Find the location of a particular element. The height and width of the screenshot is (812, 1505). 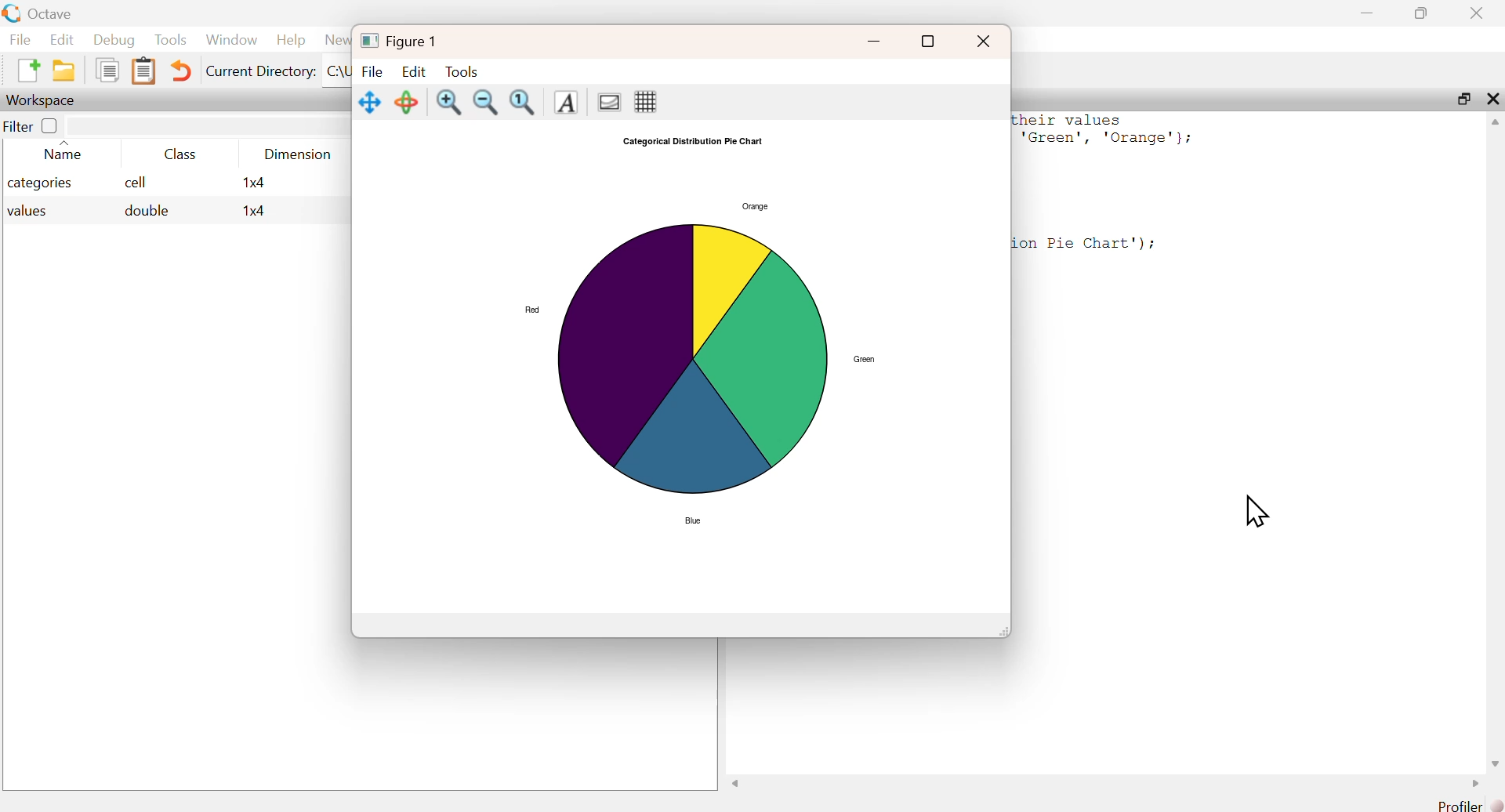

maximize is located at coordinates (1420, 13).